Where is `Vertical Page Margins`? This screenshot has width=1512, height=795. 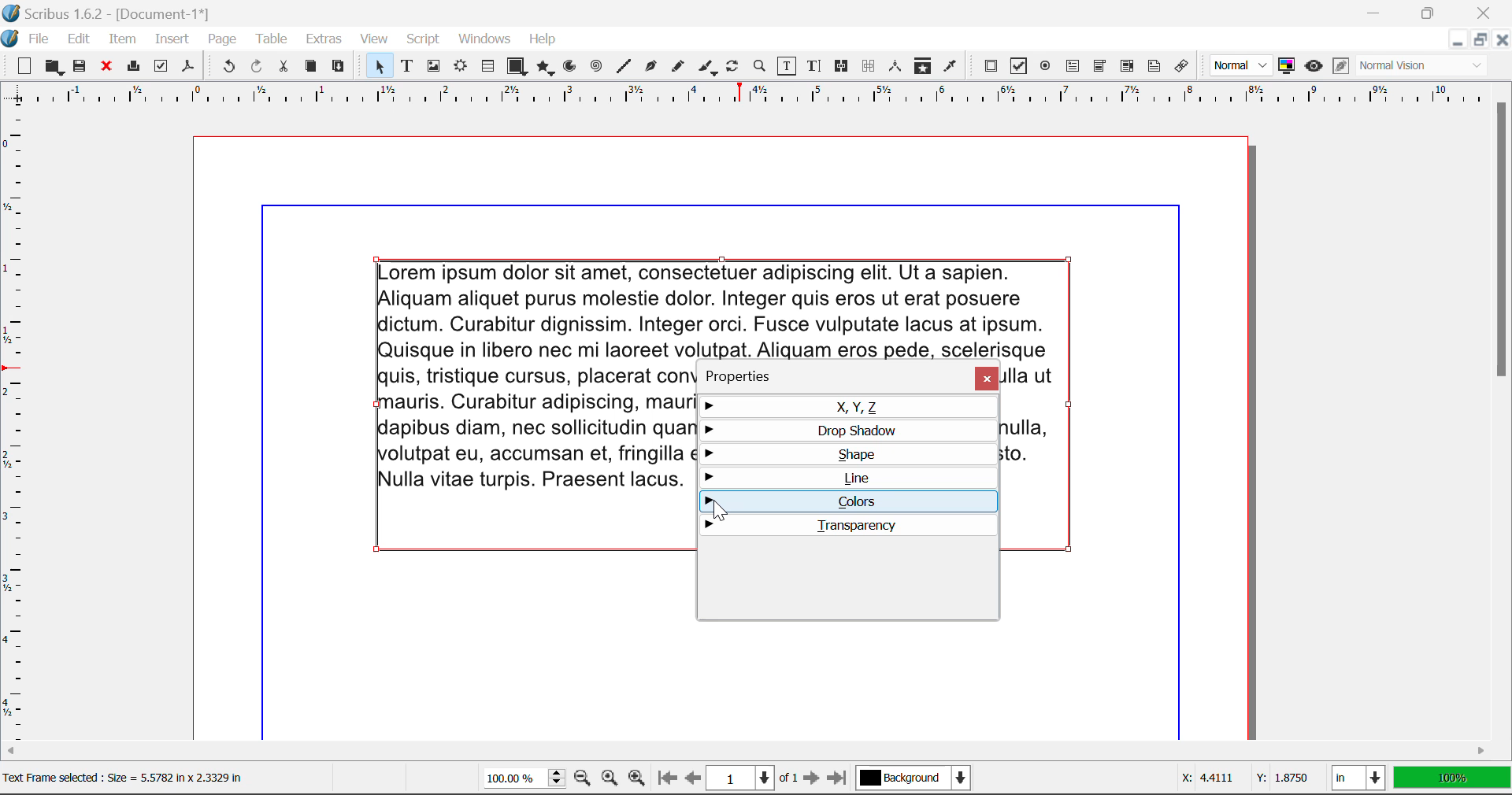
Vertical Page Margins is located at coordinates (755, 99).